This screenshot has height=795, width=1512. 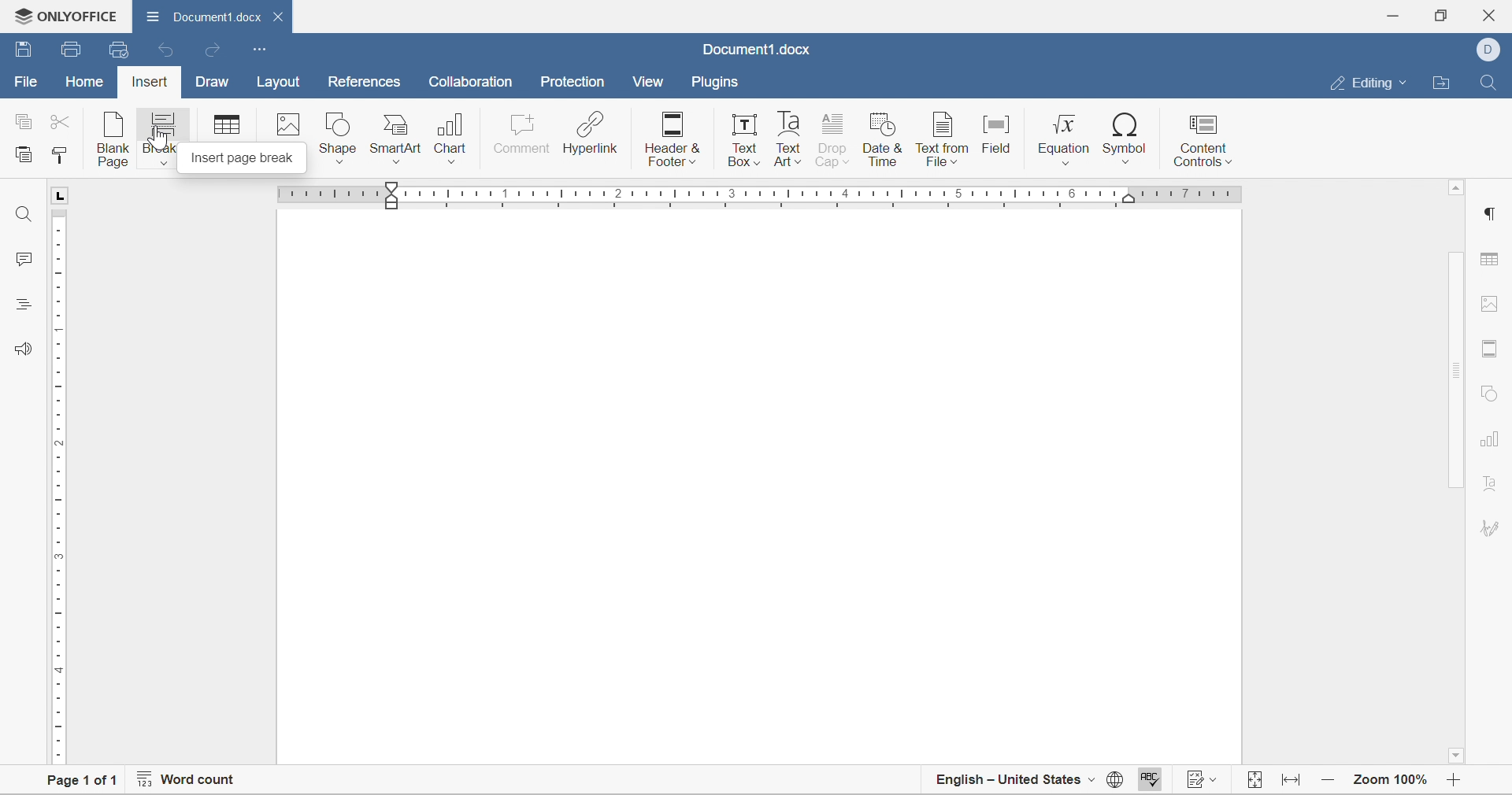 I want to click on Customize Quick Access Toolbar, so click(x=259, y=49).